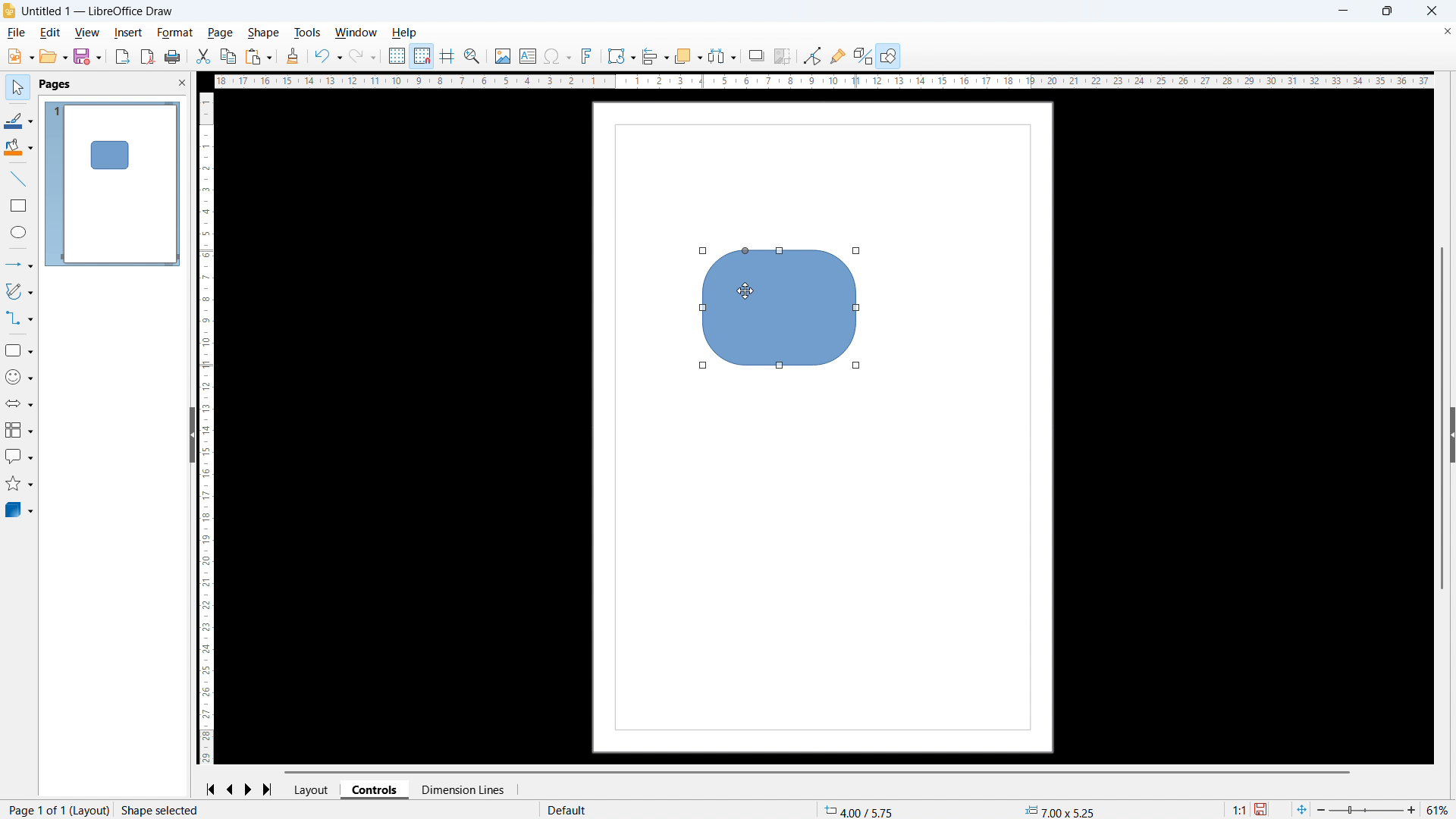 Image resolution: width=1456 pixels, height=819 pixels. I want to click on maximise , so click(1386, 11).